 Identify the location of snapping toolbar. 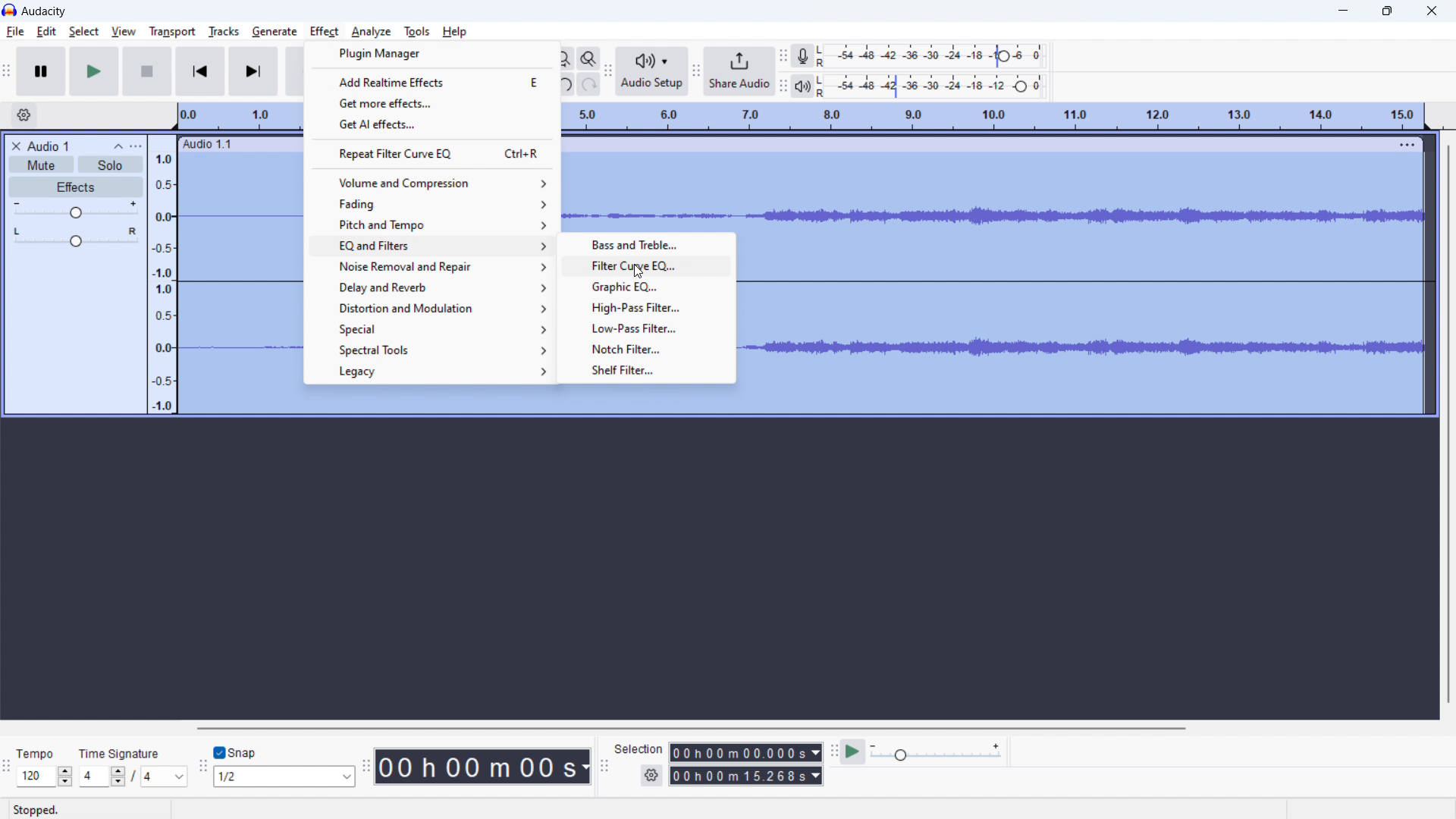
(202, 765).